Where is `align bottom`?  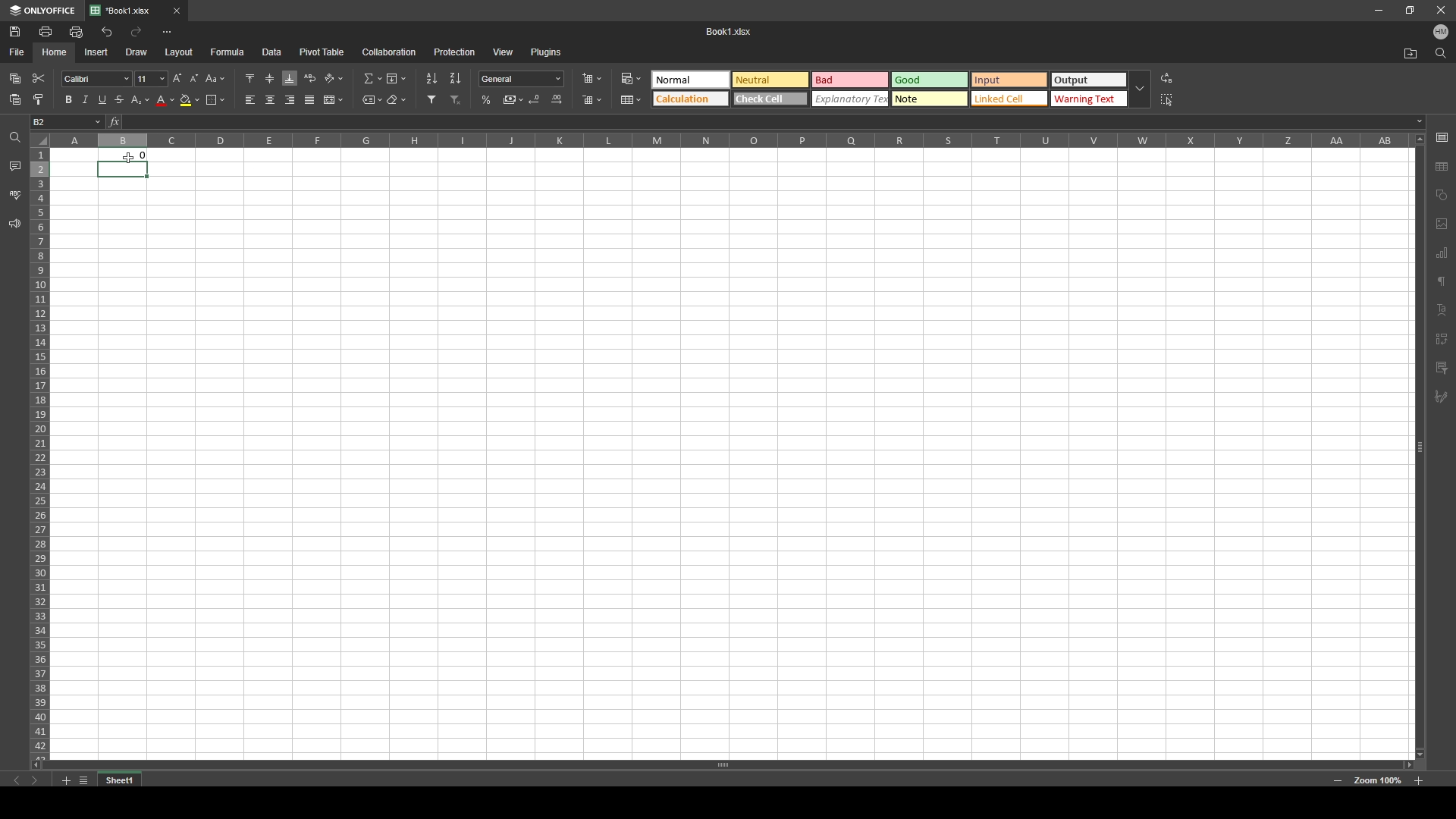
align bottom is located at coordinates (290, 78).